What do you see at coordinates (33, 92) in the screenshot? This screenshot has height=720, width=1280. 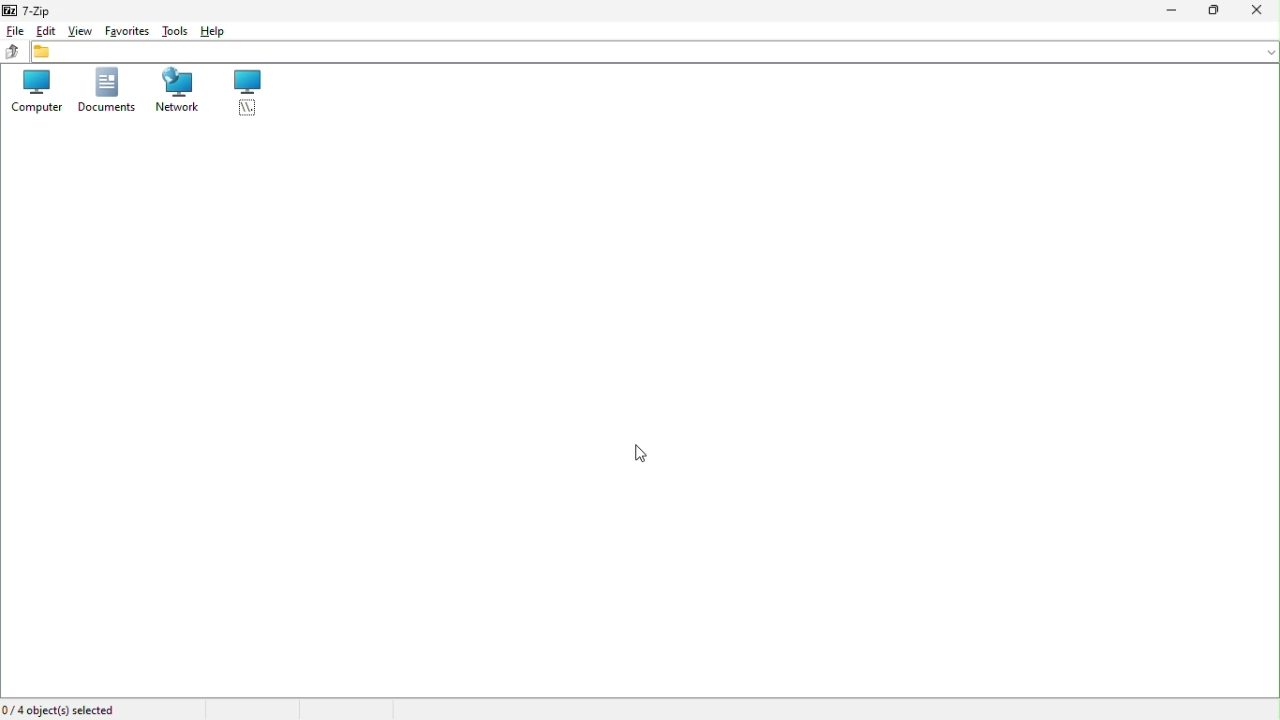 I see `Computer` at bounding box center [33, 92].